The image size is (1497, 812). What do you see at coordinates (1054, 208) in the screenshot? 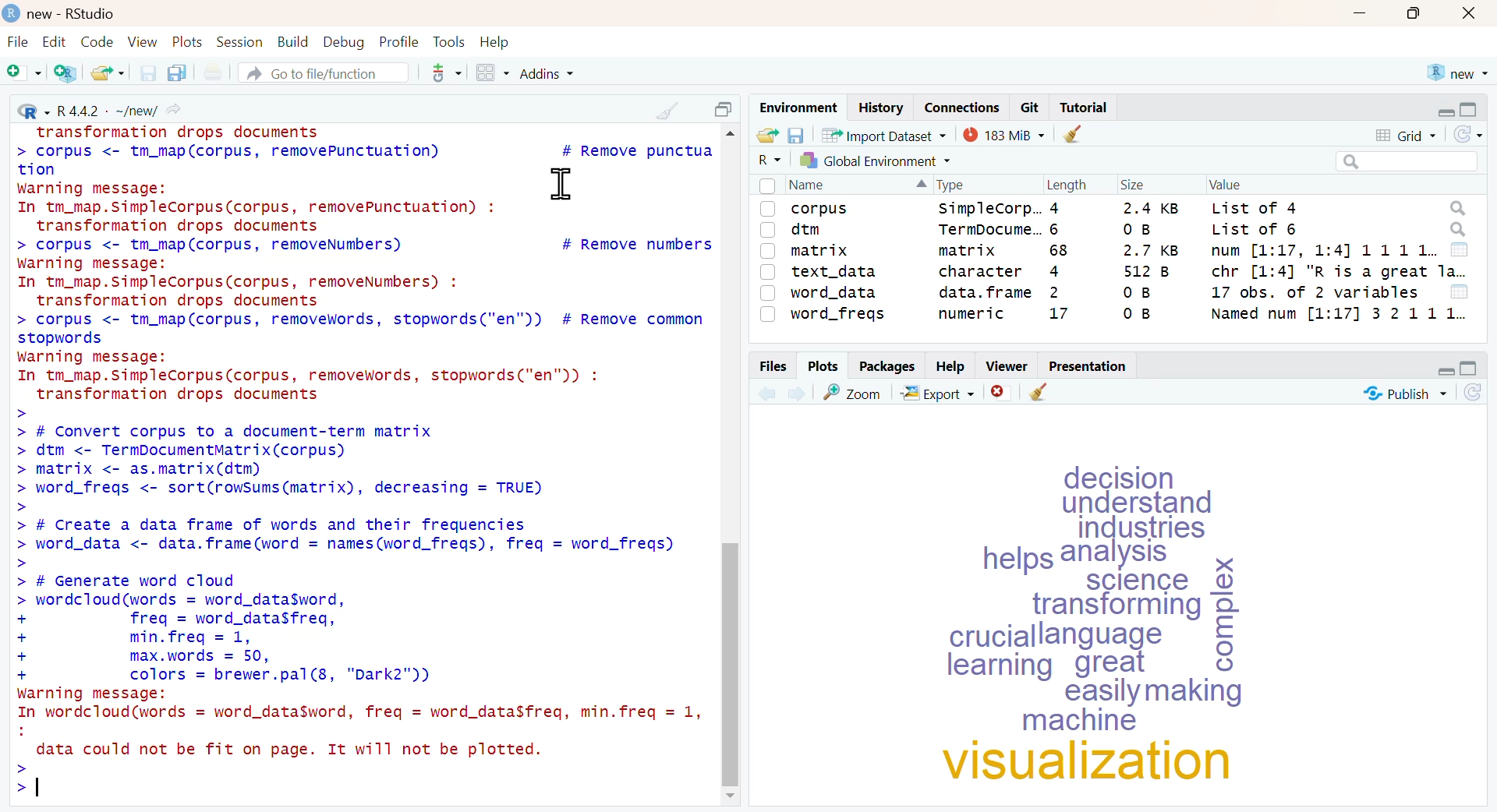
I see `4` at bounding box center [1054, 208].